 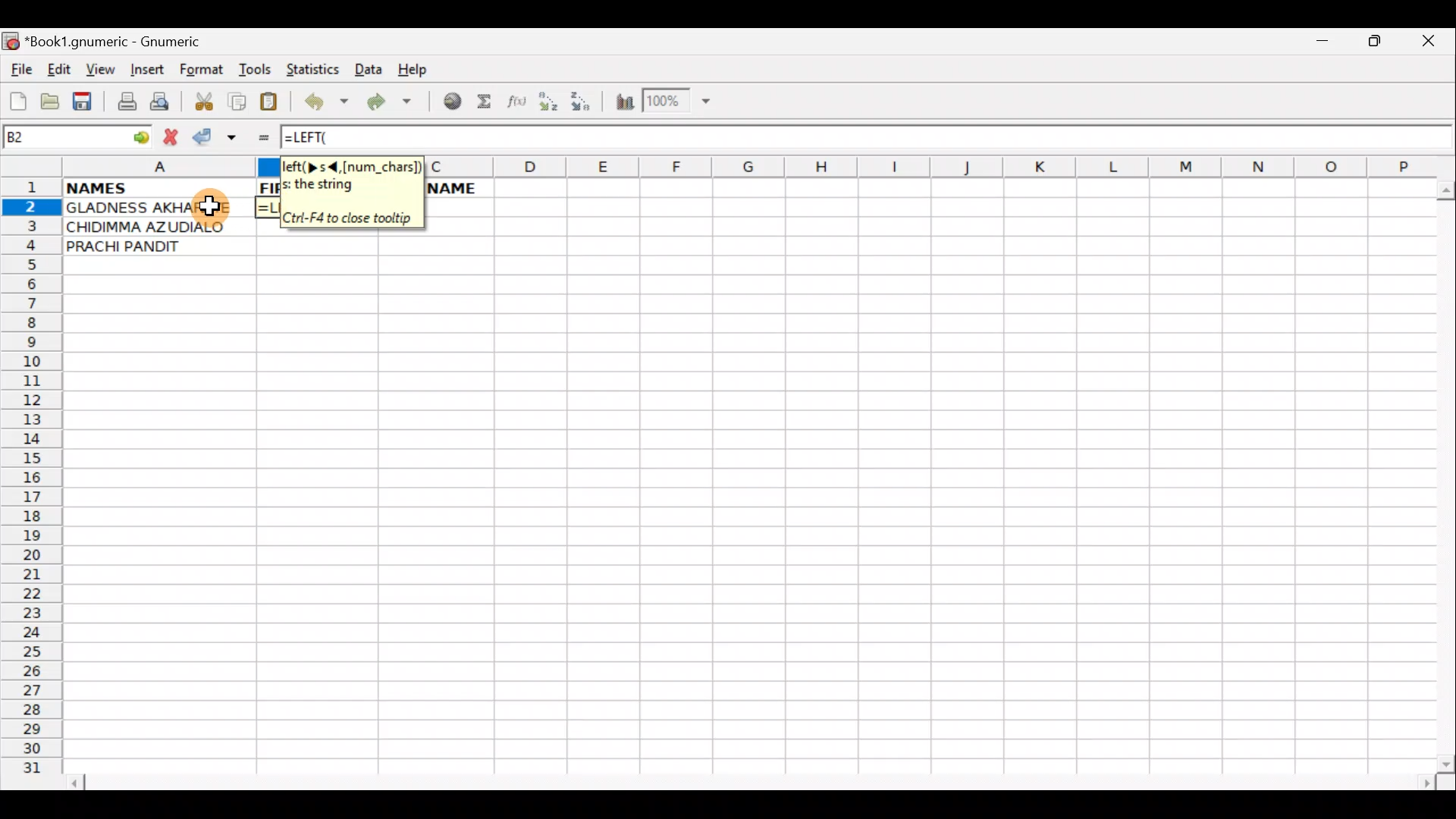 I want to click on Enter formula, so click(x=256, y=137).